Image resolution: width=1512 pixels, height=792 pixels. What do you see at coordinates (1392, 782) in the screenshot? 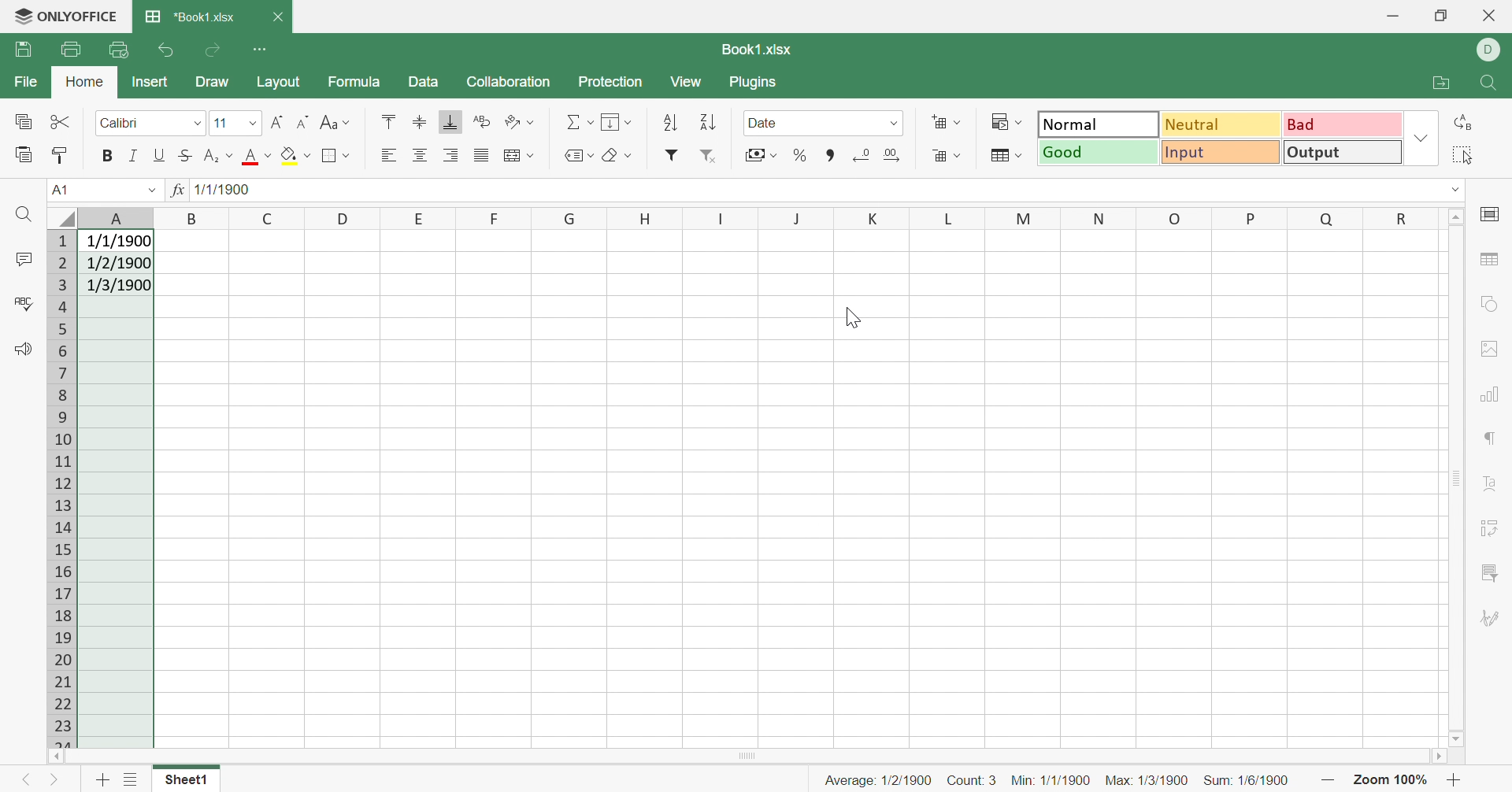
I see `Zoom 100%` at bounding box center [1392, 782].